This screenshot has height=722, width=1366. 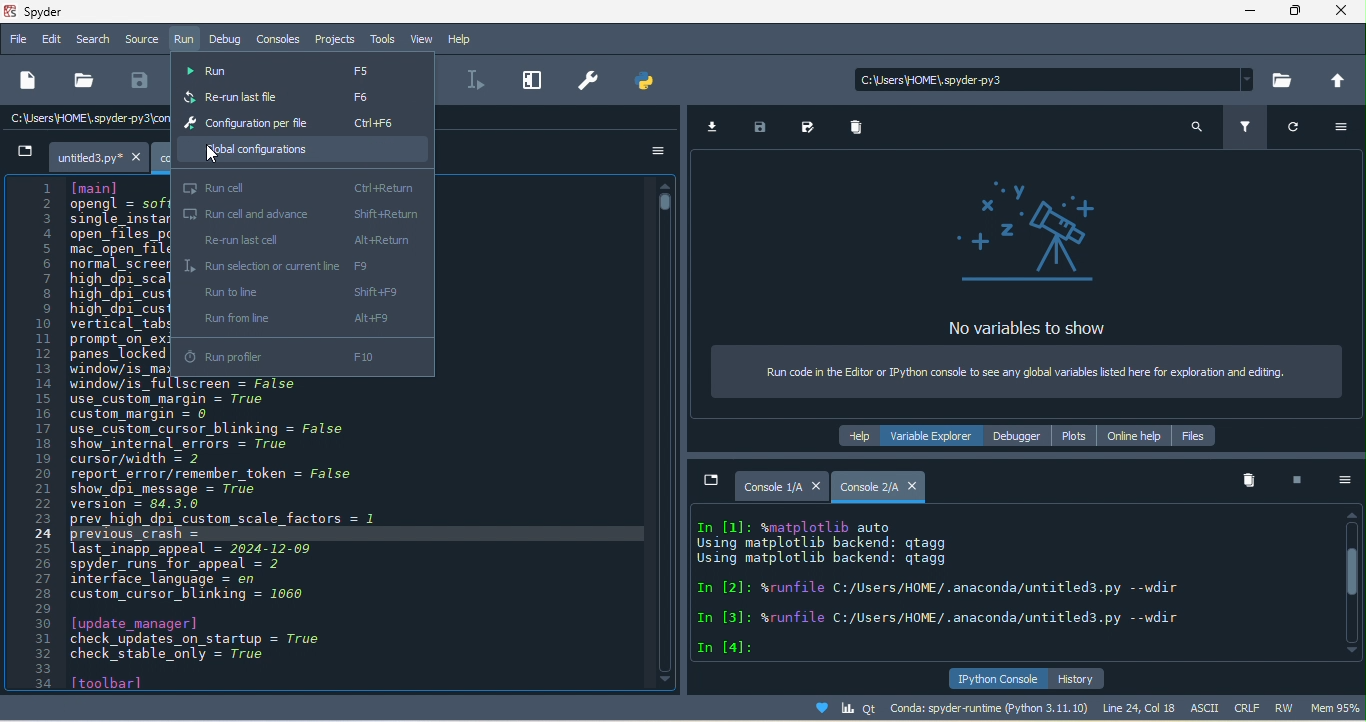 What do you see at coordinates (663, 364) in the screenshot?
I see `` at bounding box center [663, 364].